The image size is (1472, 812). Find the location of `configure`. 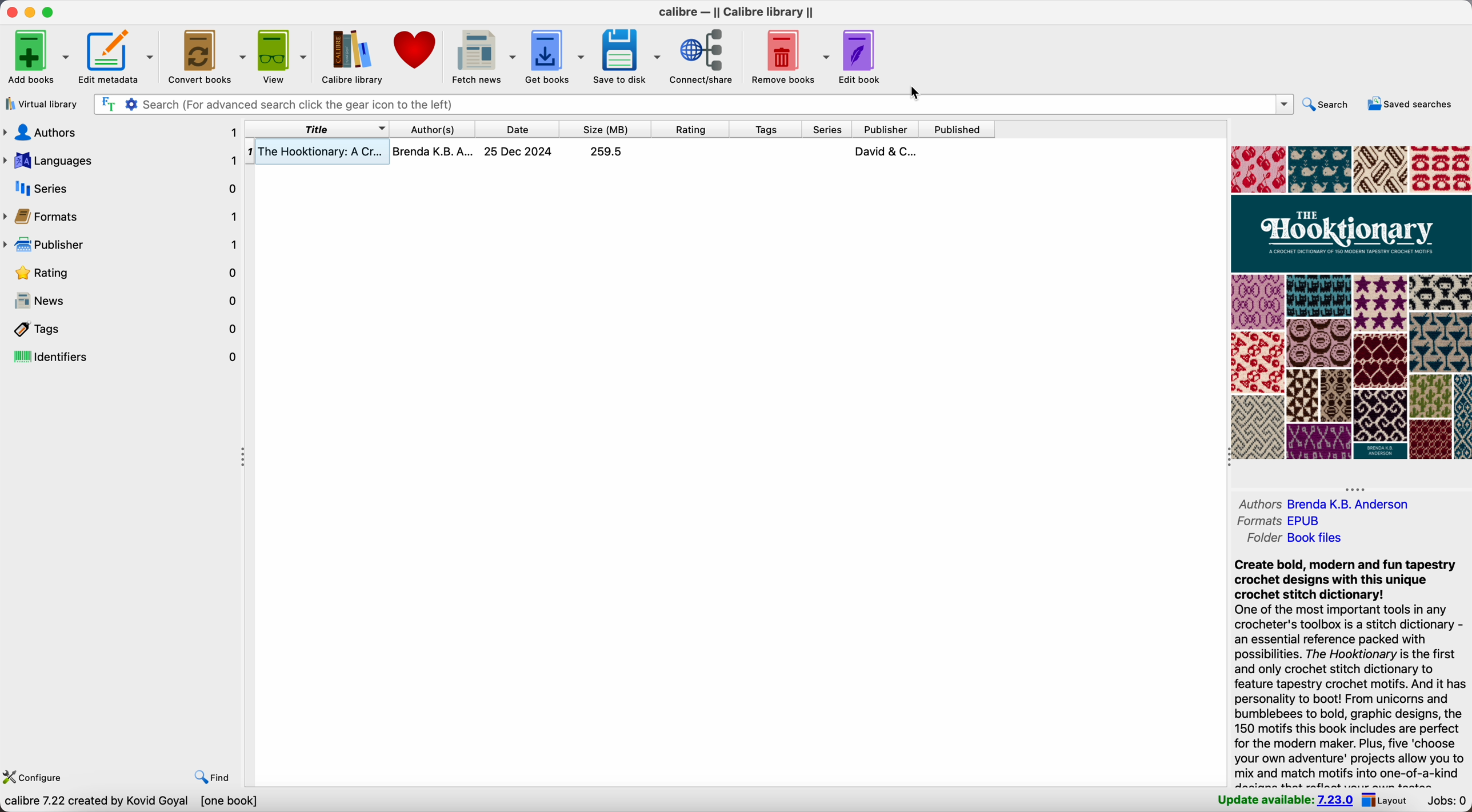

configure is located at coordinates (34, 777).